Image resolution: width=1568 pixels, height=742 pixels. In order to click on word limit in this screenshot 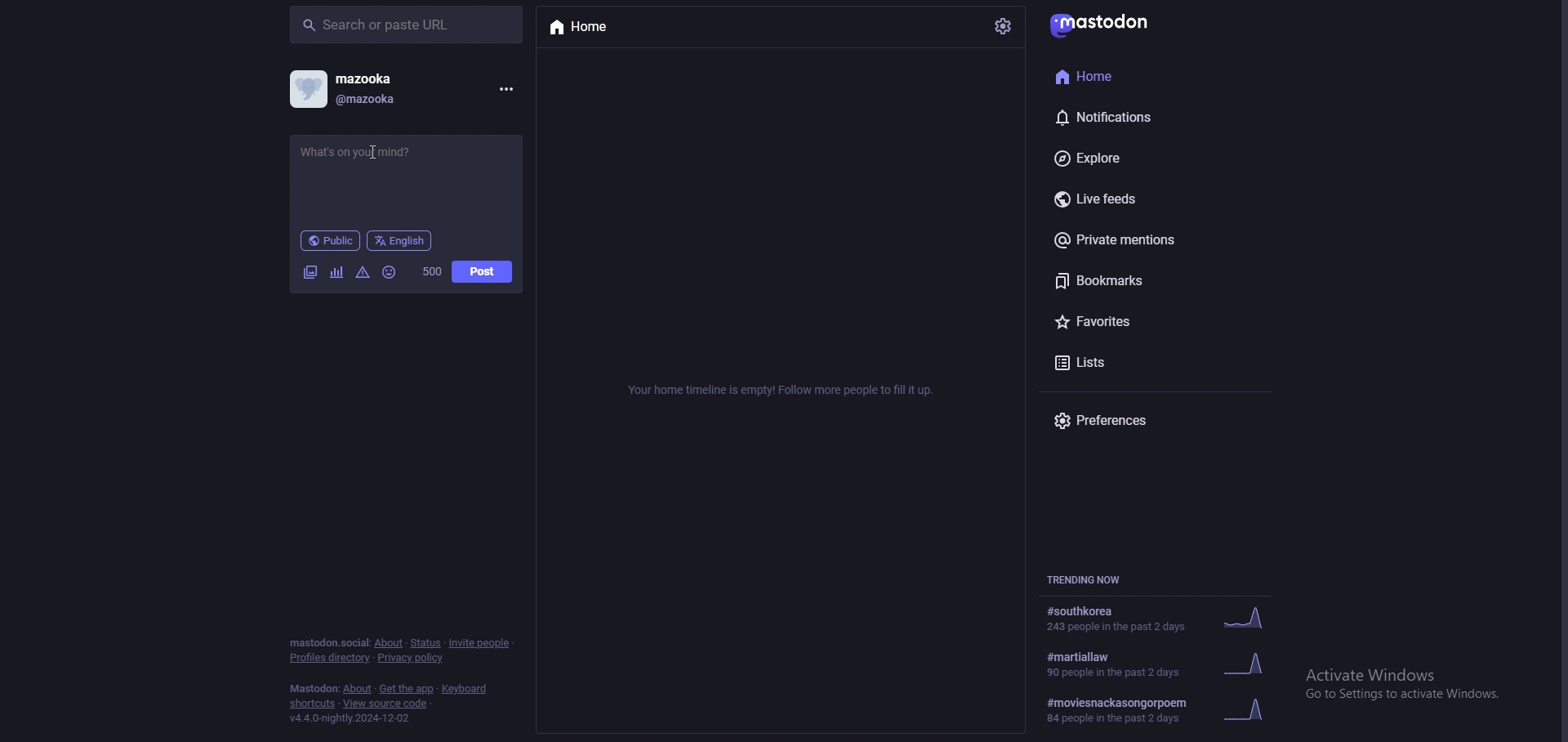, I will do `click(434, 272)`.